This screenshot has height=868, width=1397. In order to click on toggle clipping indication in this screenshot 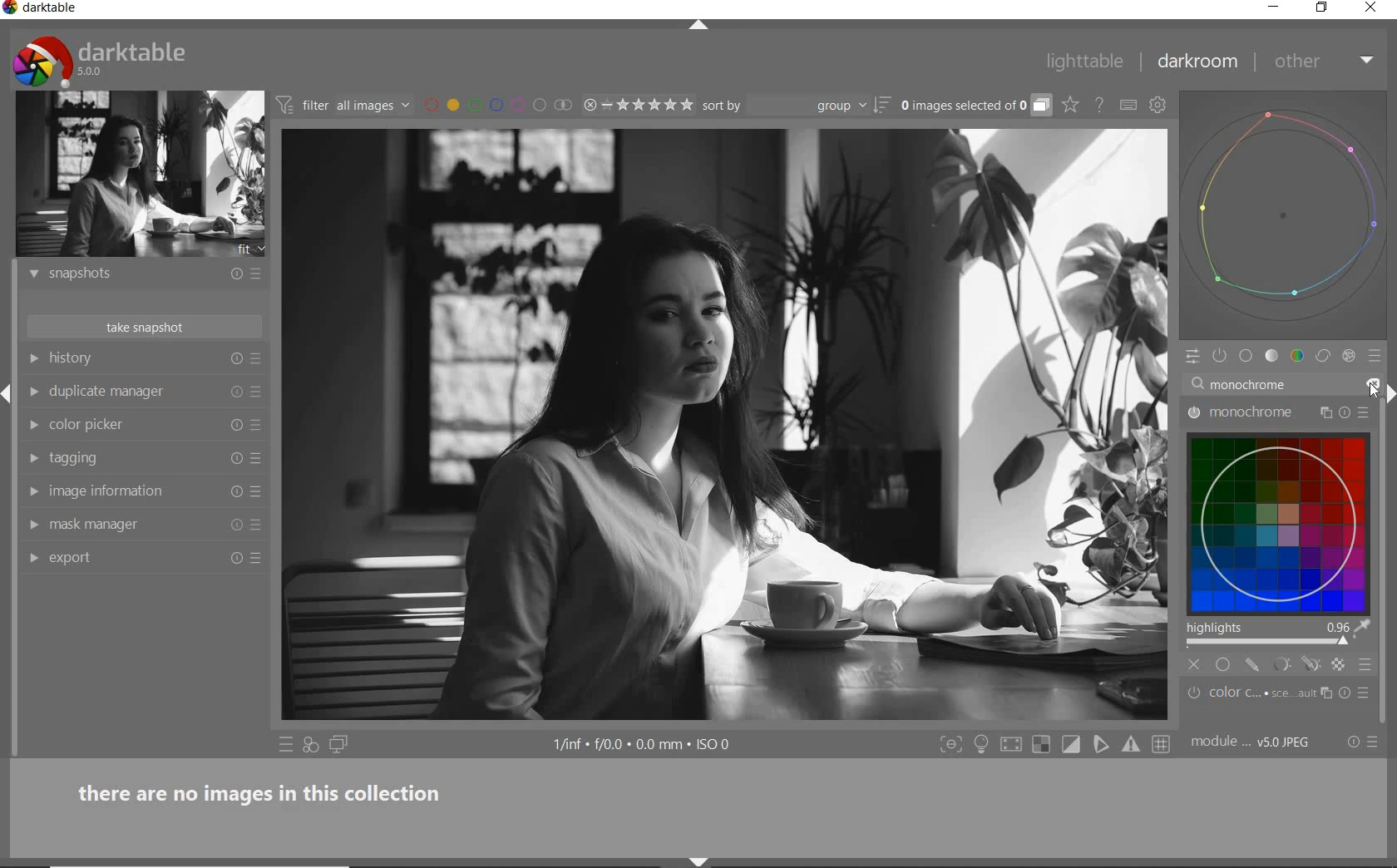, I will do `click(1073, 744)`.